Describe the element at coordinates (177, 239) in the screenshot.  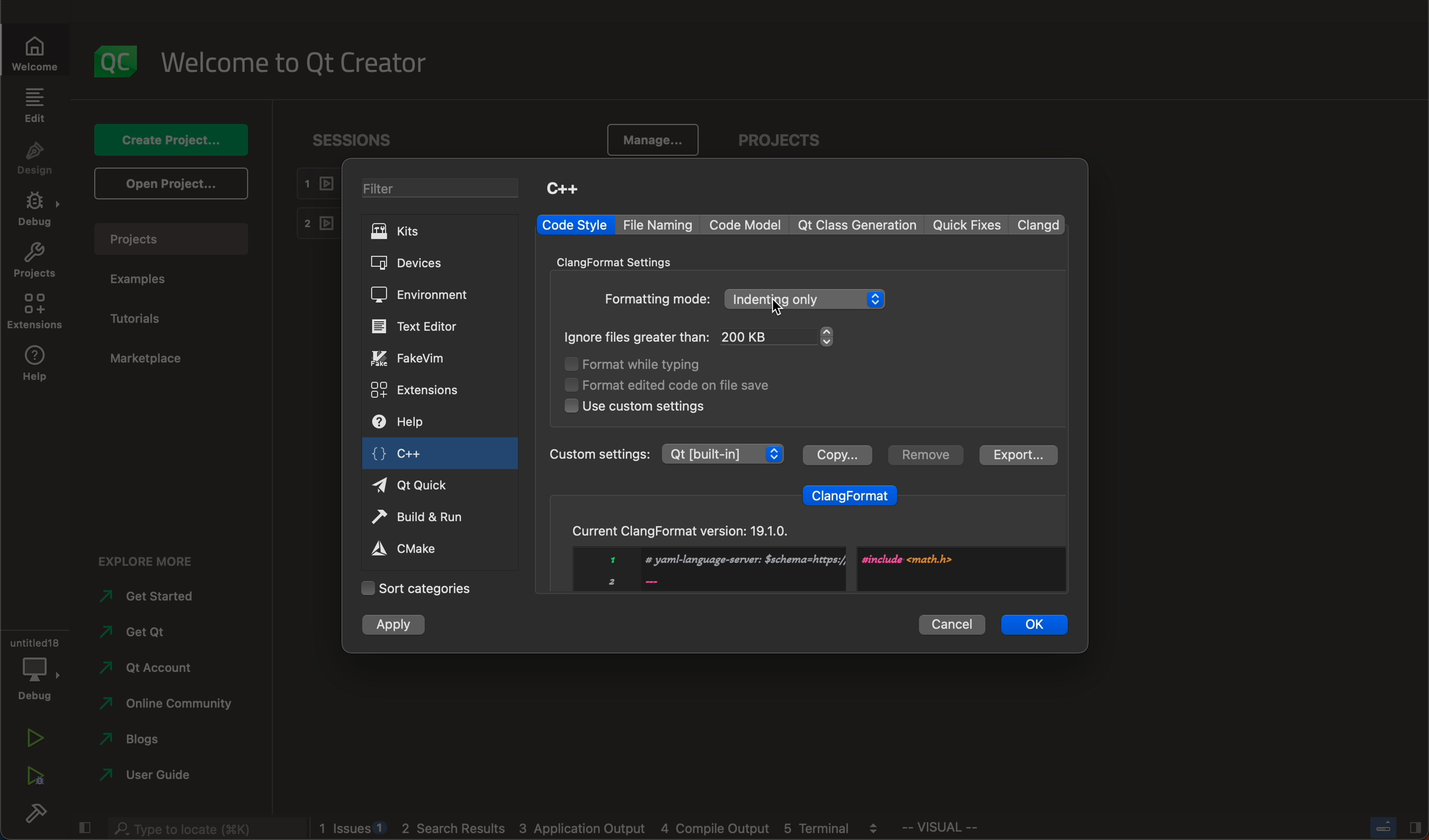
I see `projects` at that location.